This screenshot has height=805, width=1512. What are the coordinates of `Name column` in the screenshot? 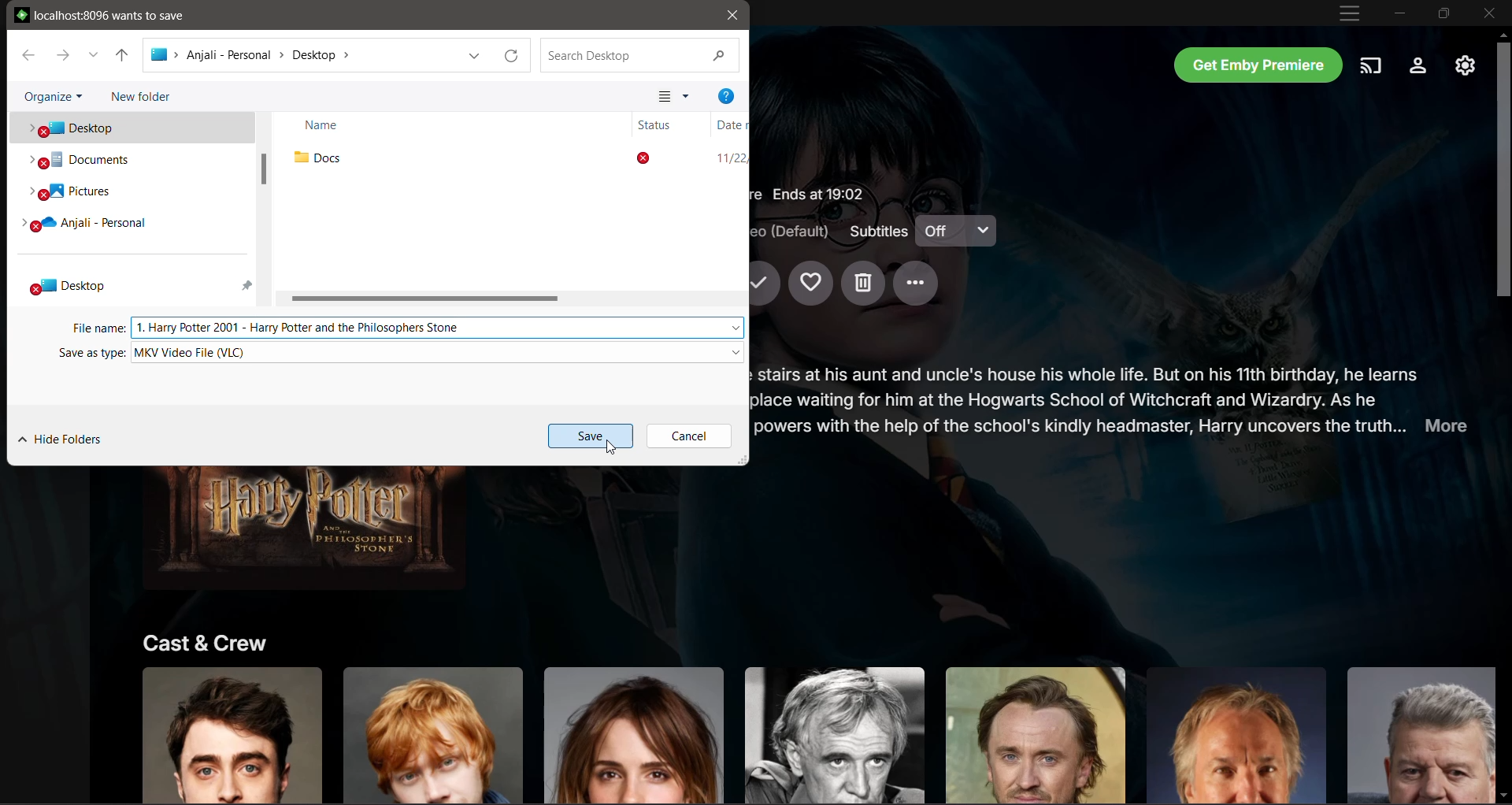 It's located at (396, 124).